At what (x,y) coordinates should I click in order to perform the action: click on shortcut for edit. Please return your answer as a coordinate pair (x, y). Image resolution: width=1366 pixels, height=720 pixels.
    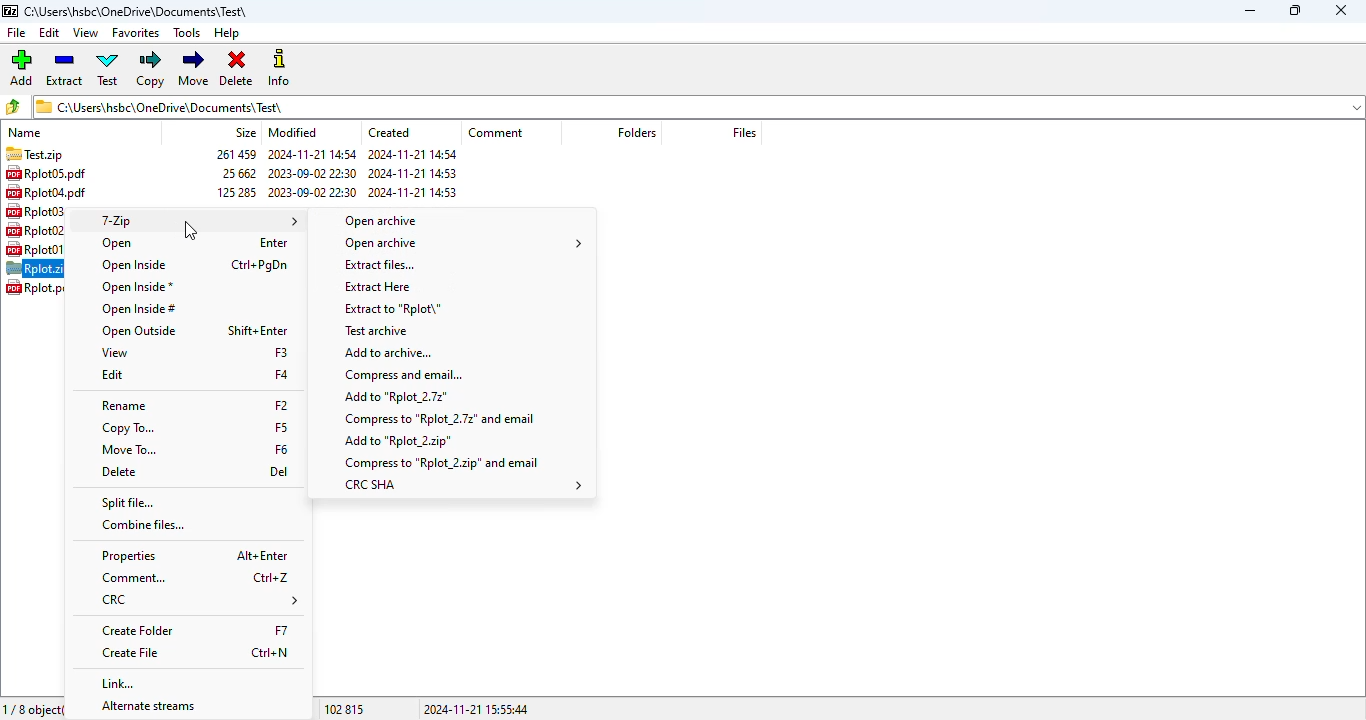
    Looking at the image, I should click on (282, 375).